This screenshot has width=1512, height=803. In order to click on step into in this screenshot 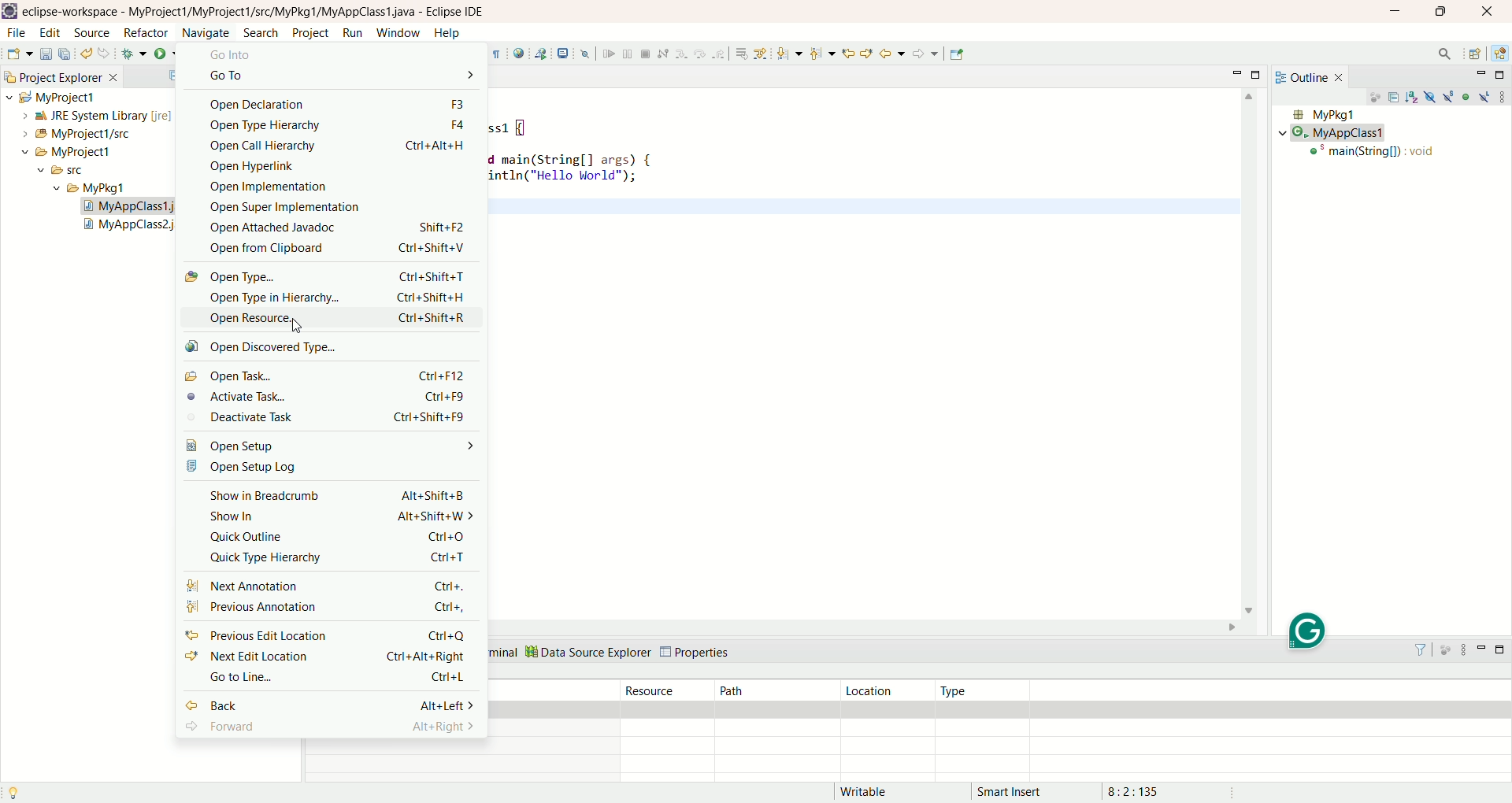, I will do `click(681, 55)`.